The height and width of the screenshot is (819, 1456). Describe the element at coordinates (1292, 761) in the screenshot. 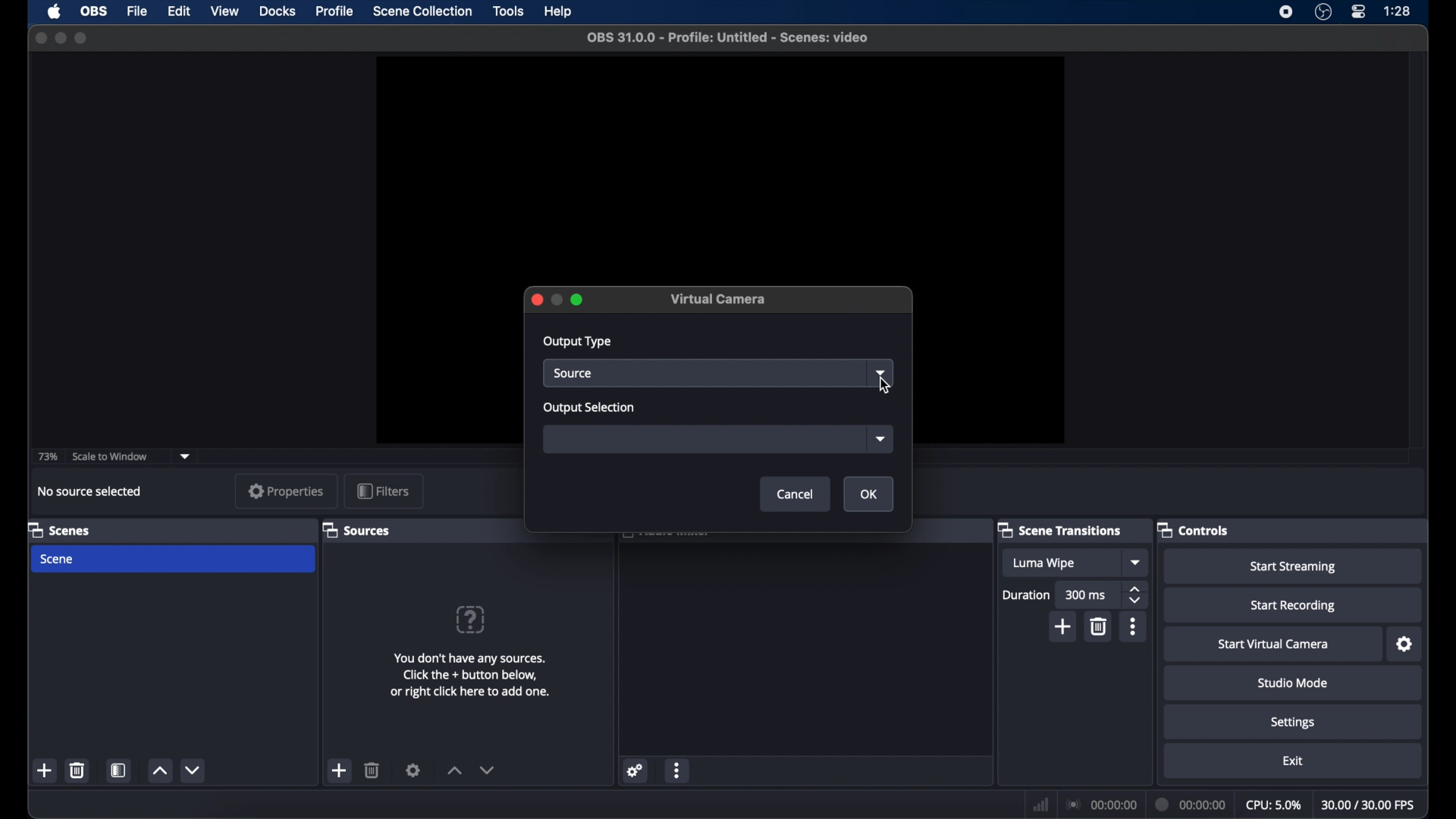

I see `exit` at that location.